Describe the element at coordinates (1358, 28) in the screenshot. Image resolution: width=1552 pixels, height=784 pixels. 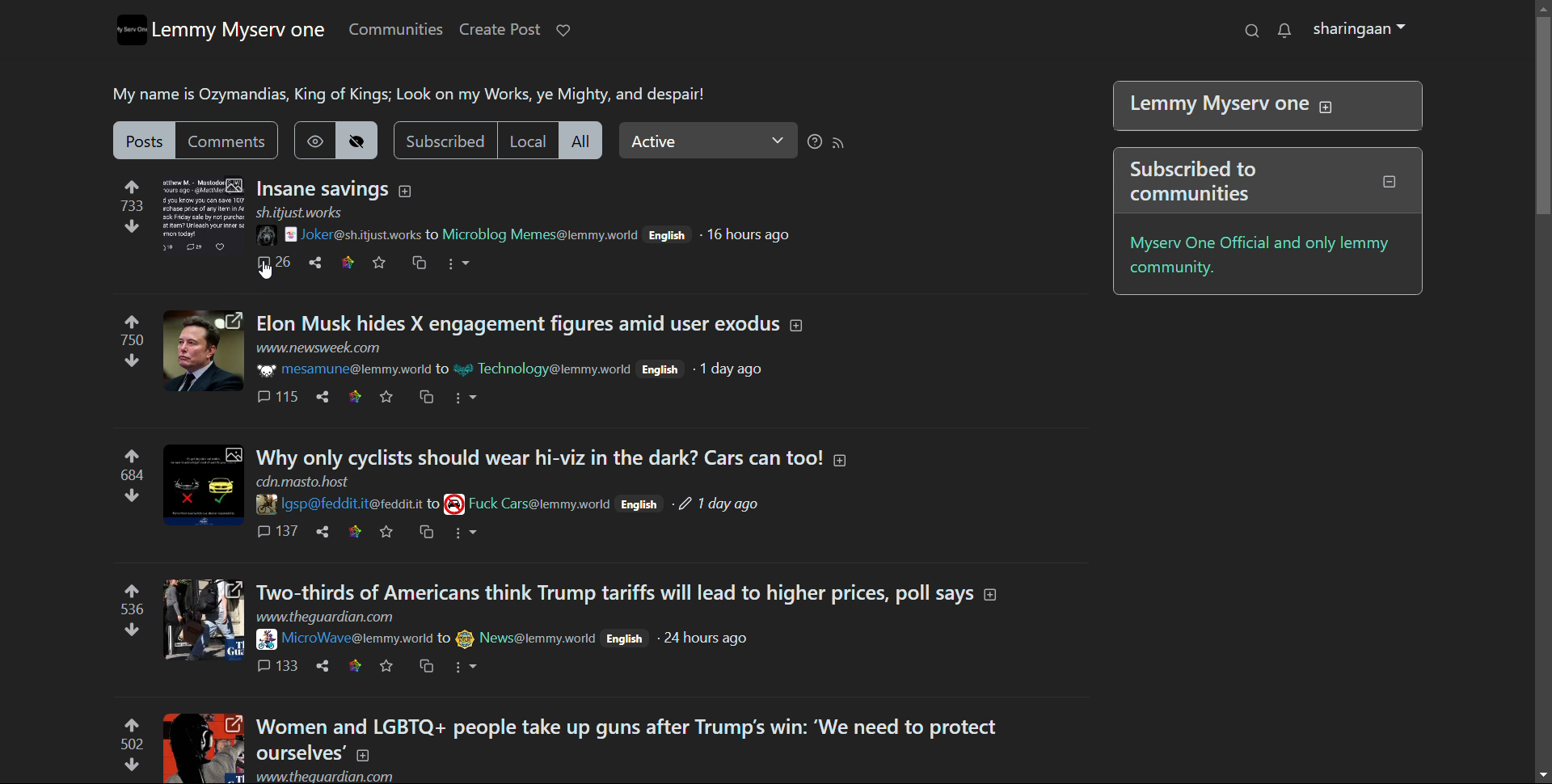
I see `profile` at that location.